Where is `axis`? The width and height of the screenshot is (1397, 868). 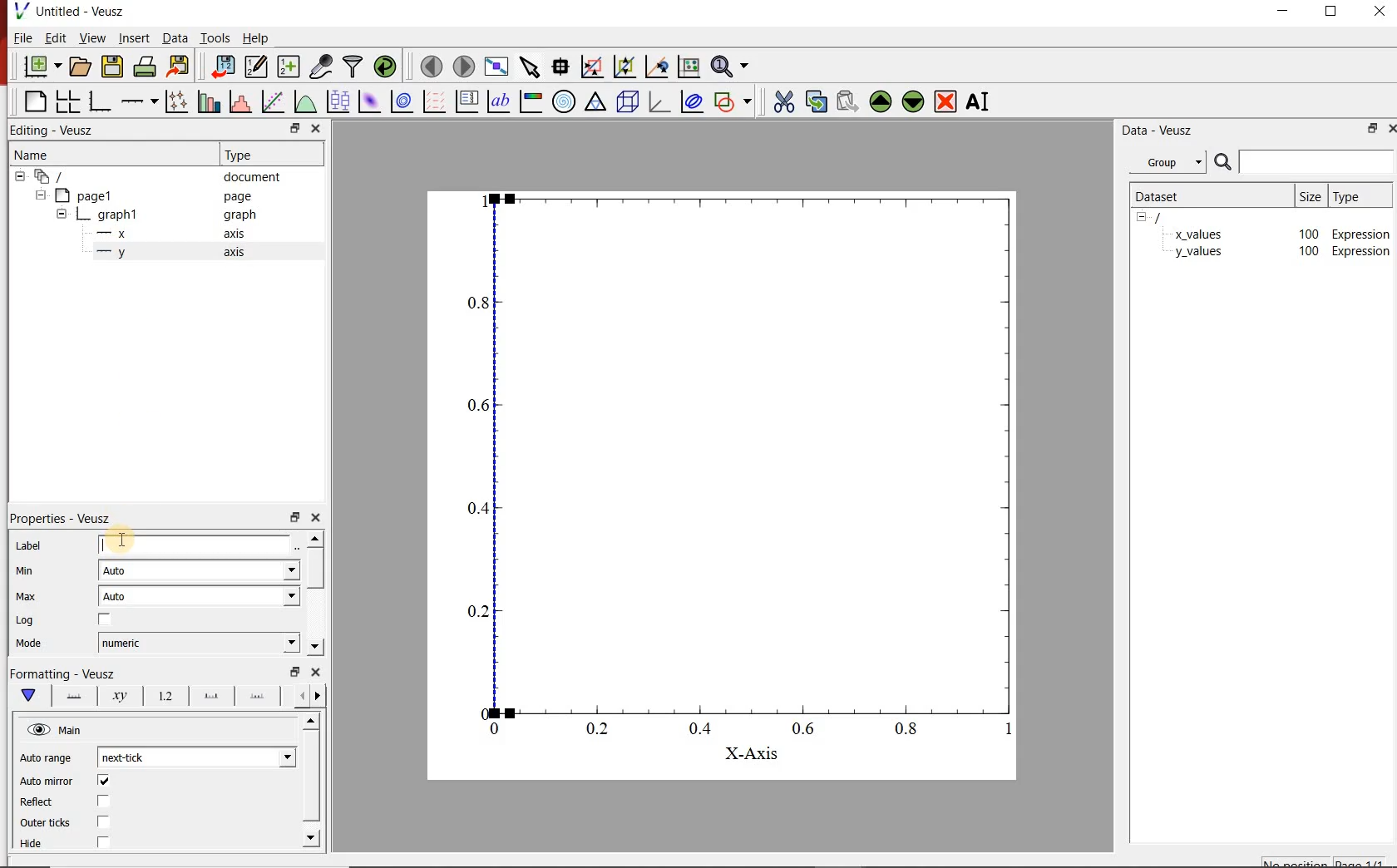
axis is located at coordinates (236, 234).